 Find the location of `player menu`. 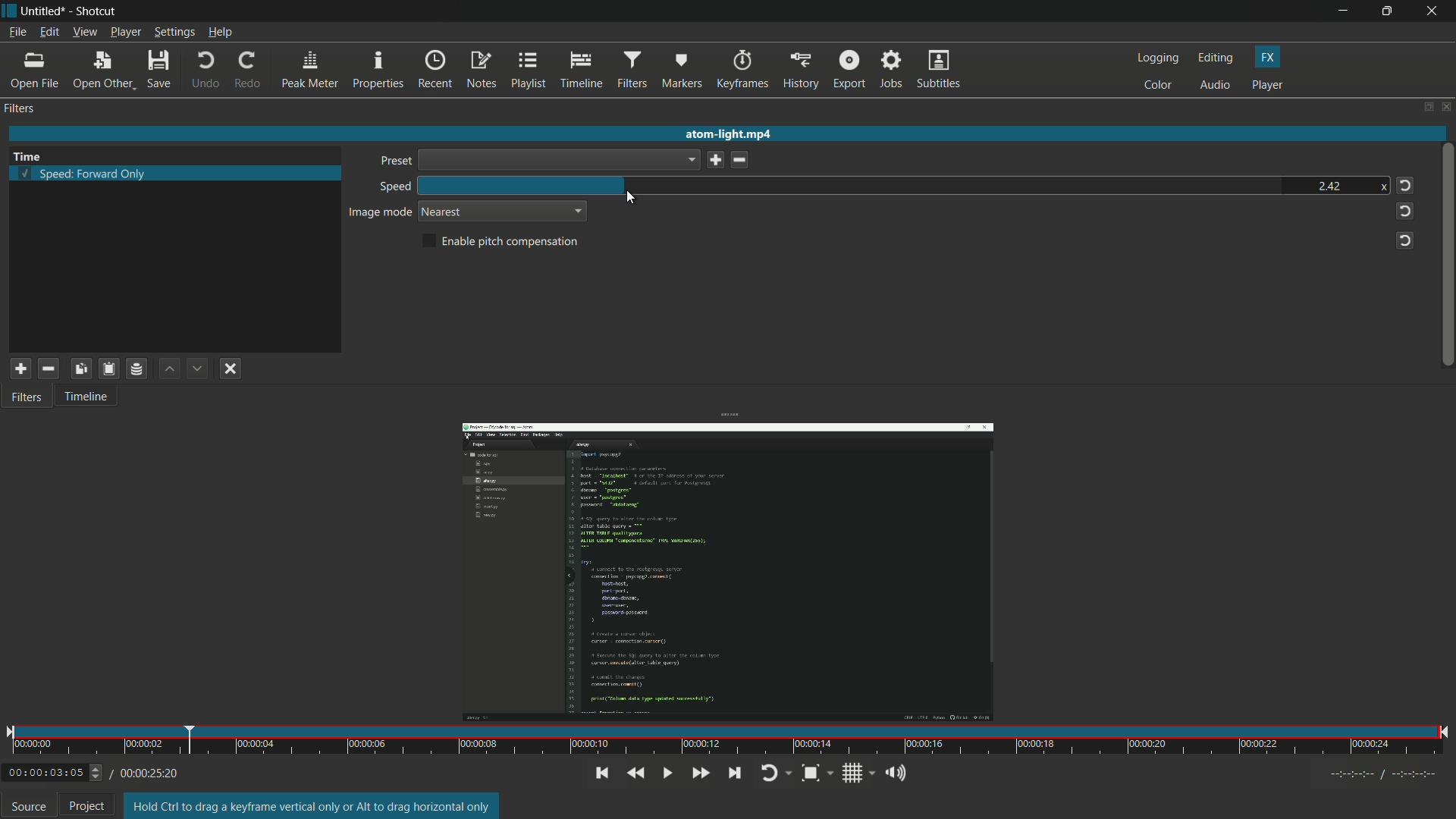

player menu is located at coordinates (125, 33).